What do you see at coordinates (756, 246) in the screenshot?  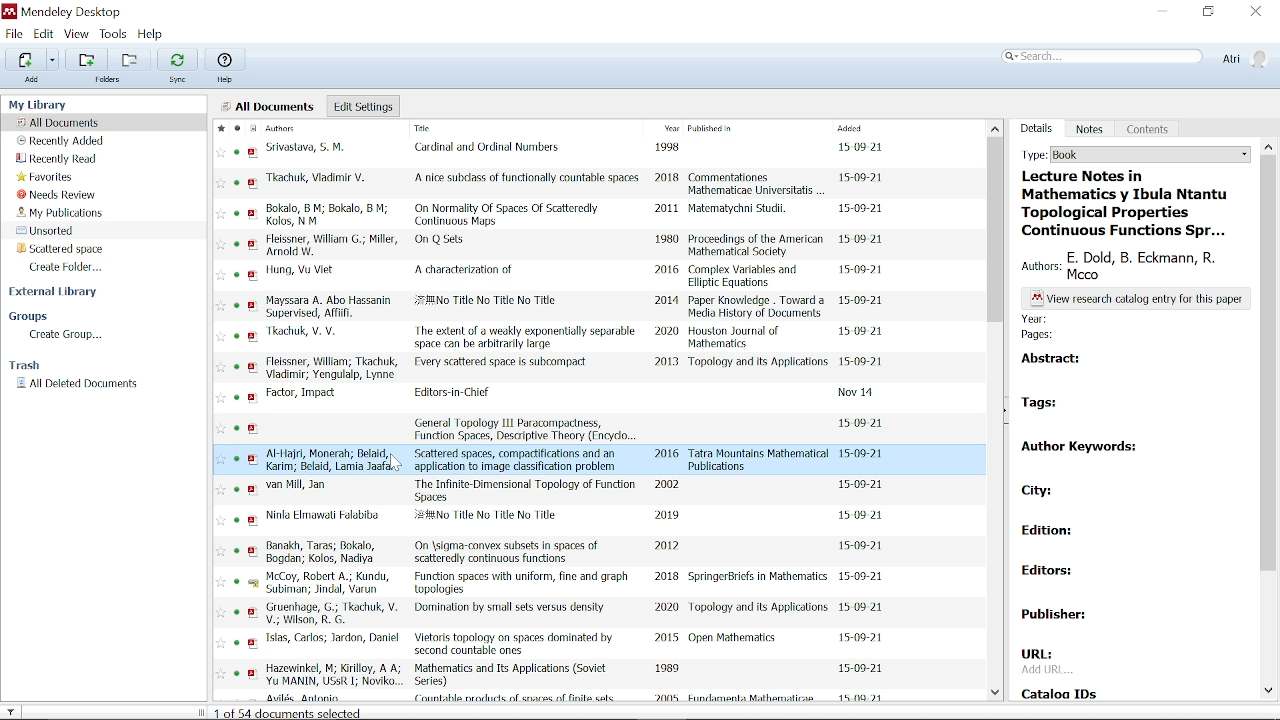 I see `Proceedings of the American
Mathematical Society` at bounding box center [756, 246].